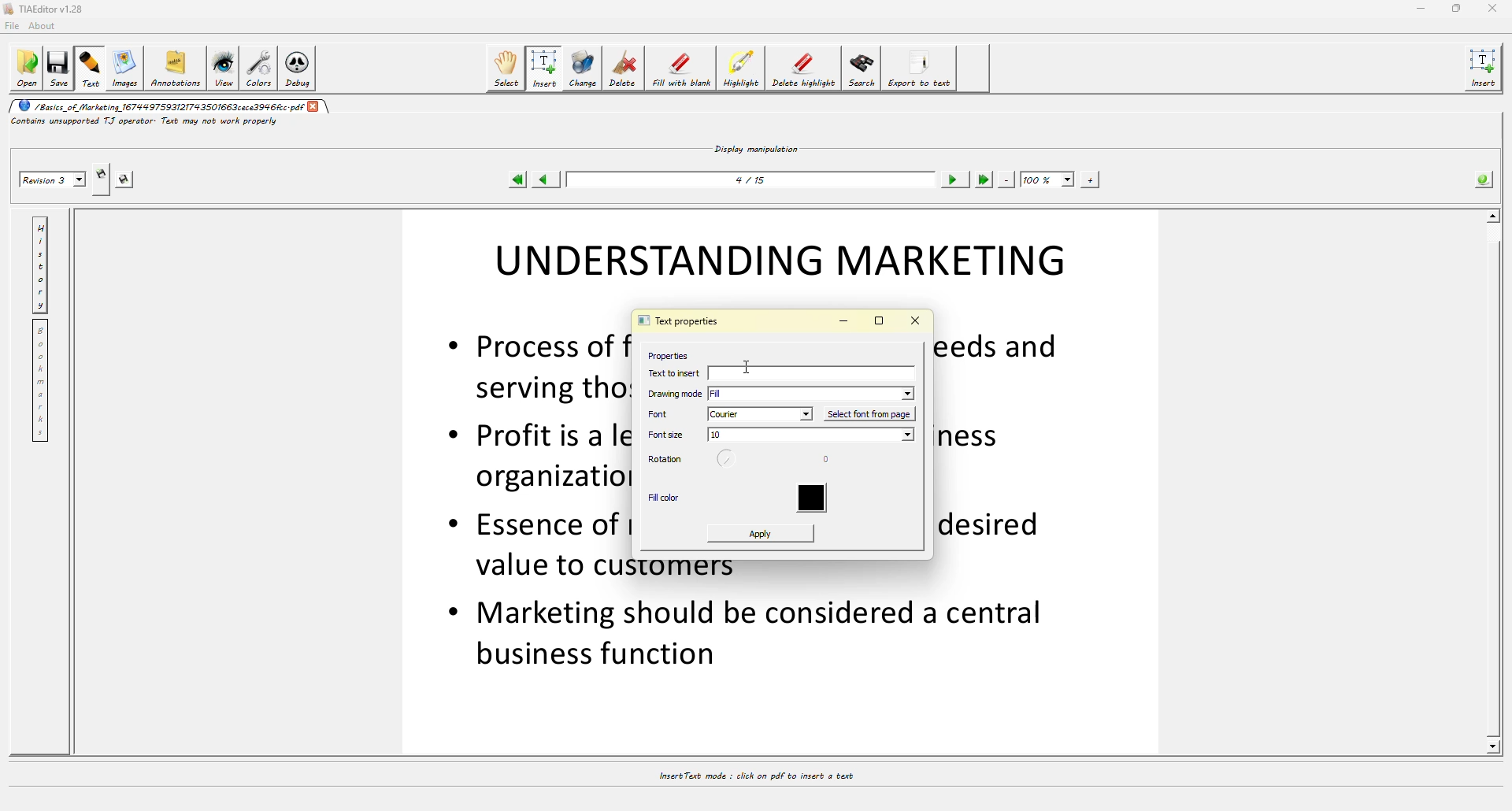 The height and width of the screenshot is (811, 1512). I want to click on annotations, so click(175, 69).